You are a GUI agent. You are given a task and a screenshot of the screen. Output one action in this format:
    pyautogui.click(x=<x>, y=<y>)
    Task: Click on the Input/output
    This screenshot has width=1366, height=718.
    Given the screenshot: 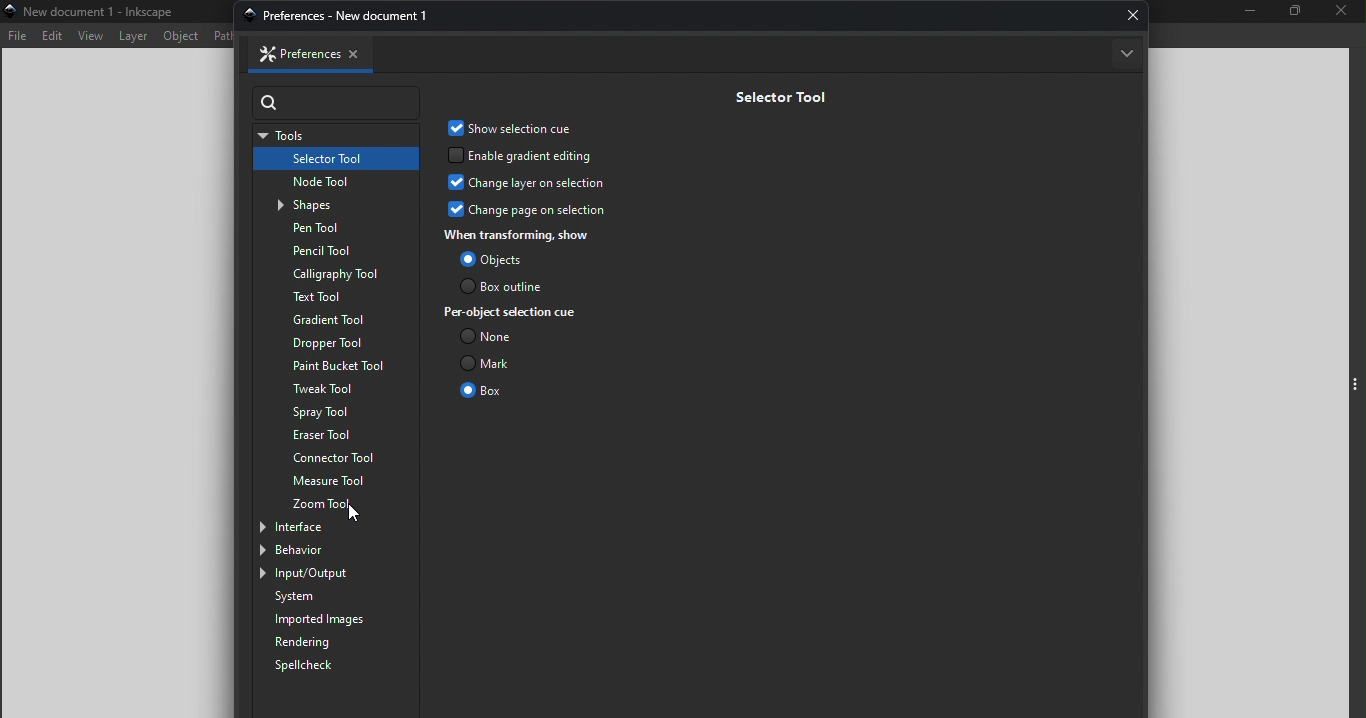 What is the action you would take?
    pyautogui.click(x=317, y=573)
    